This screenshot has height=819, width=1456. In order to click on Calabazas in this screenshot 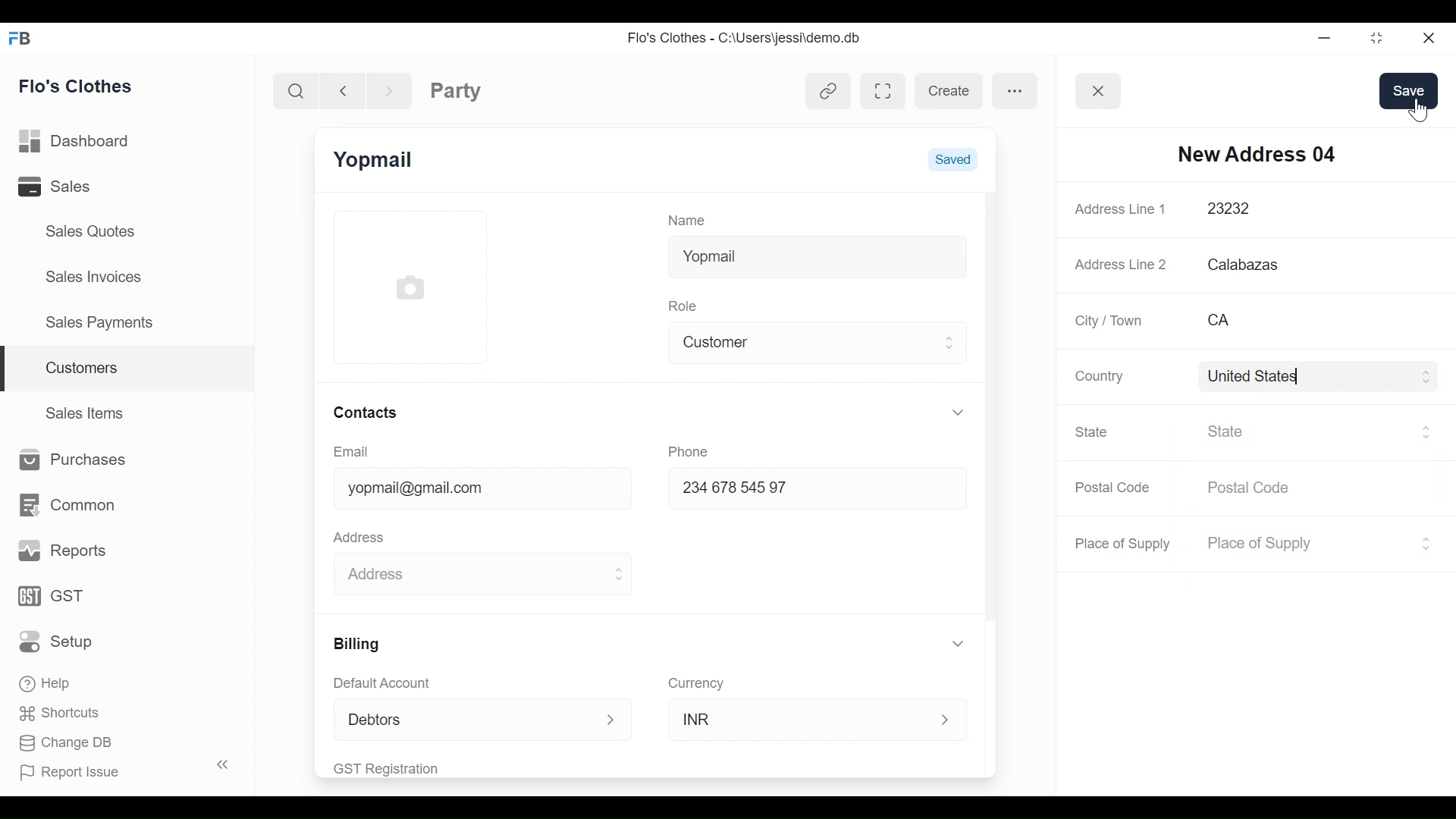, I will do `click(1318, 265)`.